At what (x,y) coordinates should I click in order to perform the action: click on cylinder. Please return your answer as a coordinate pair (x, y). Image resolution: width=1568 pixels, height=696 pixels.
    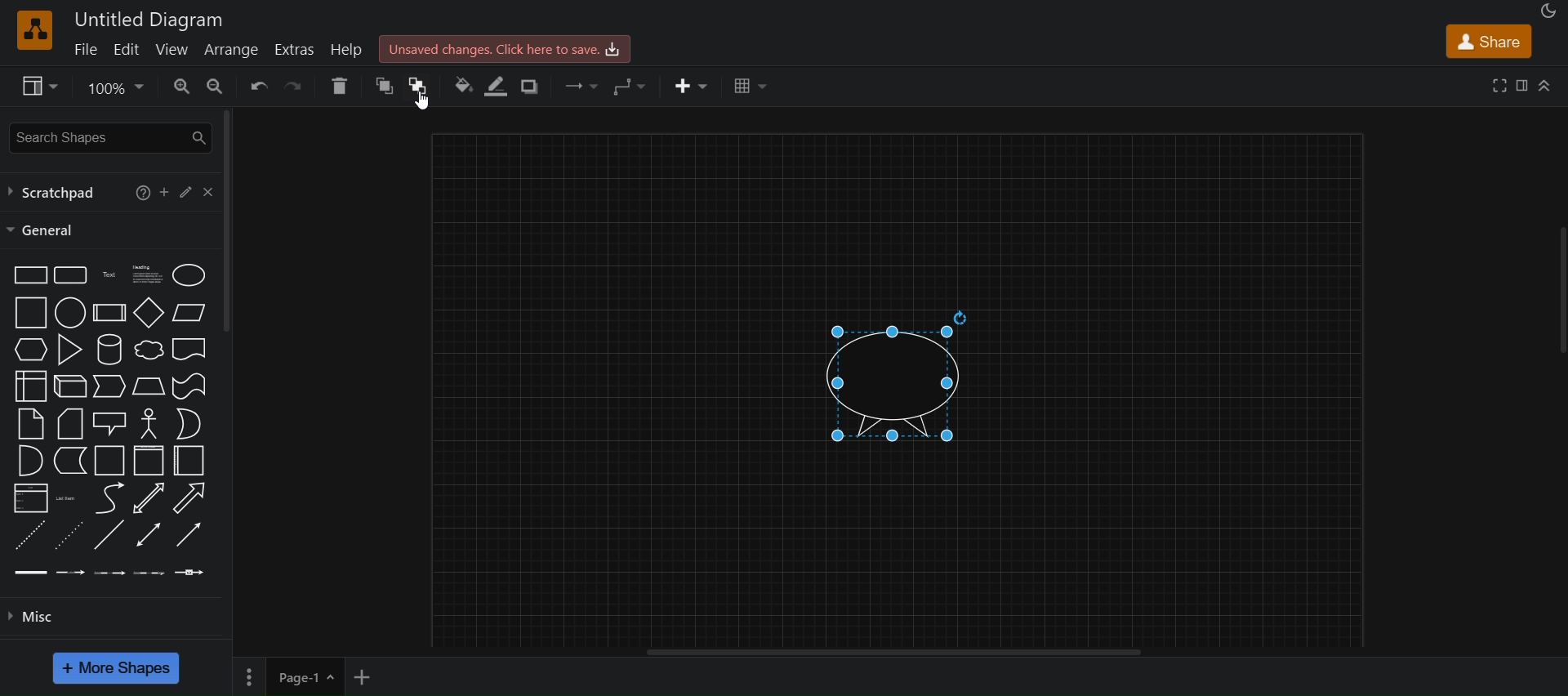
    Looking at the image, I should click on (109, 349).